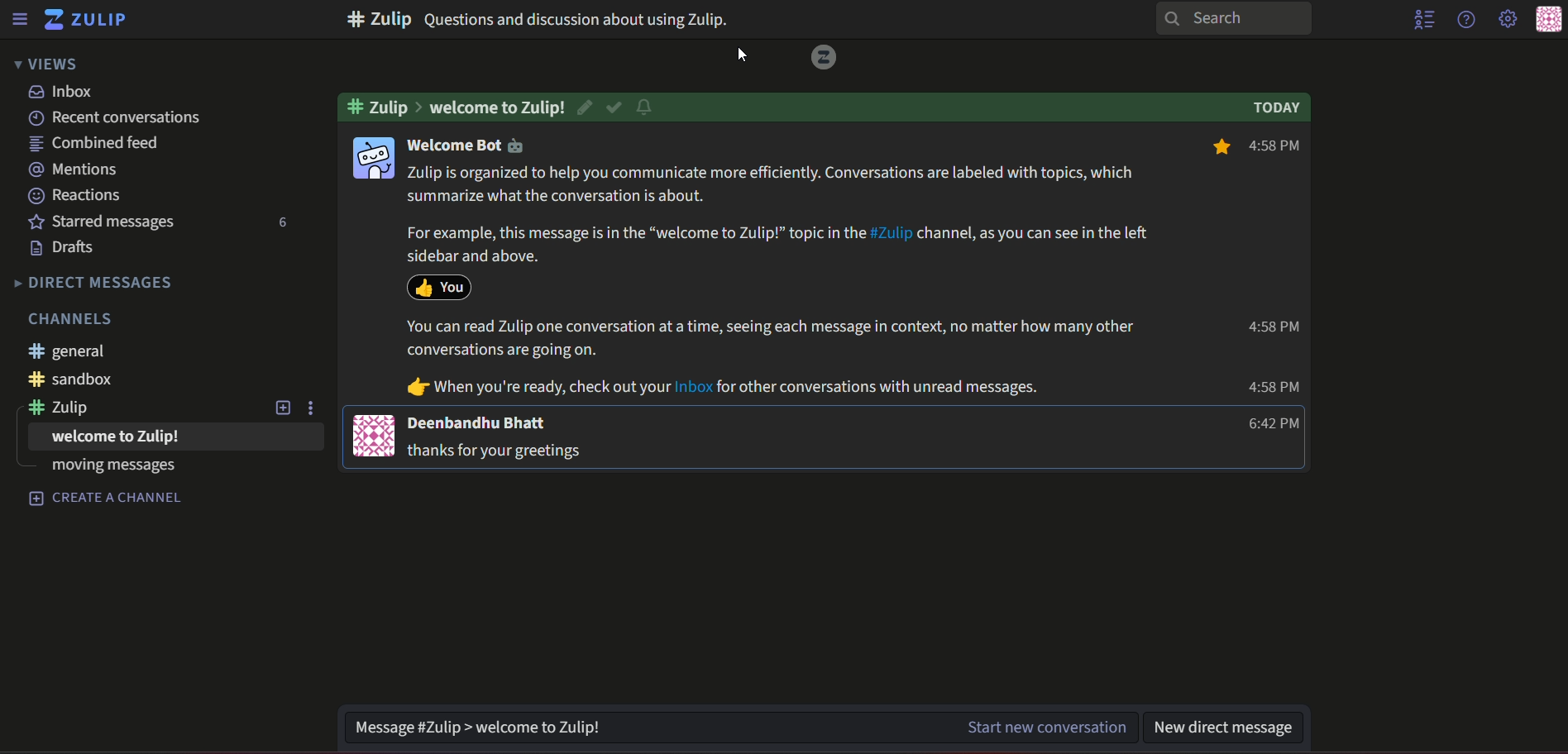  I want to click on edit, so click(584, 107).